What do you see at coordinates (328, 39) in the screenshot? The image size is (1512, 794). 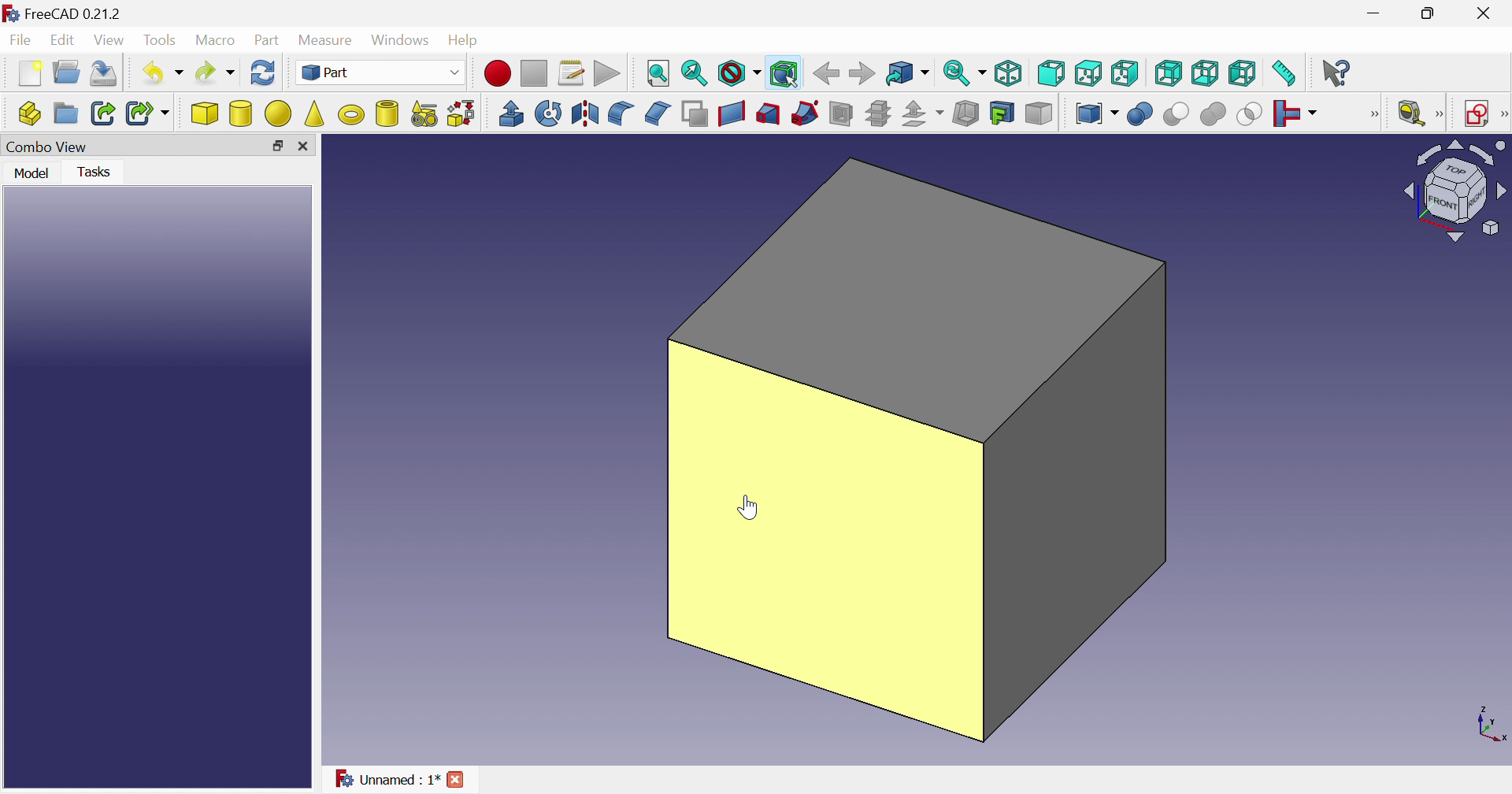 I see `Measure` at bounding box center [328, 39].